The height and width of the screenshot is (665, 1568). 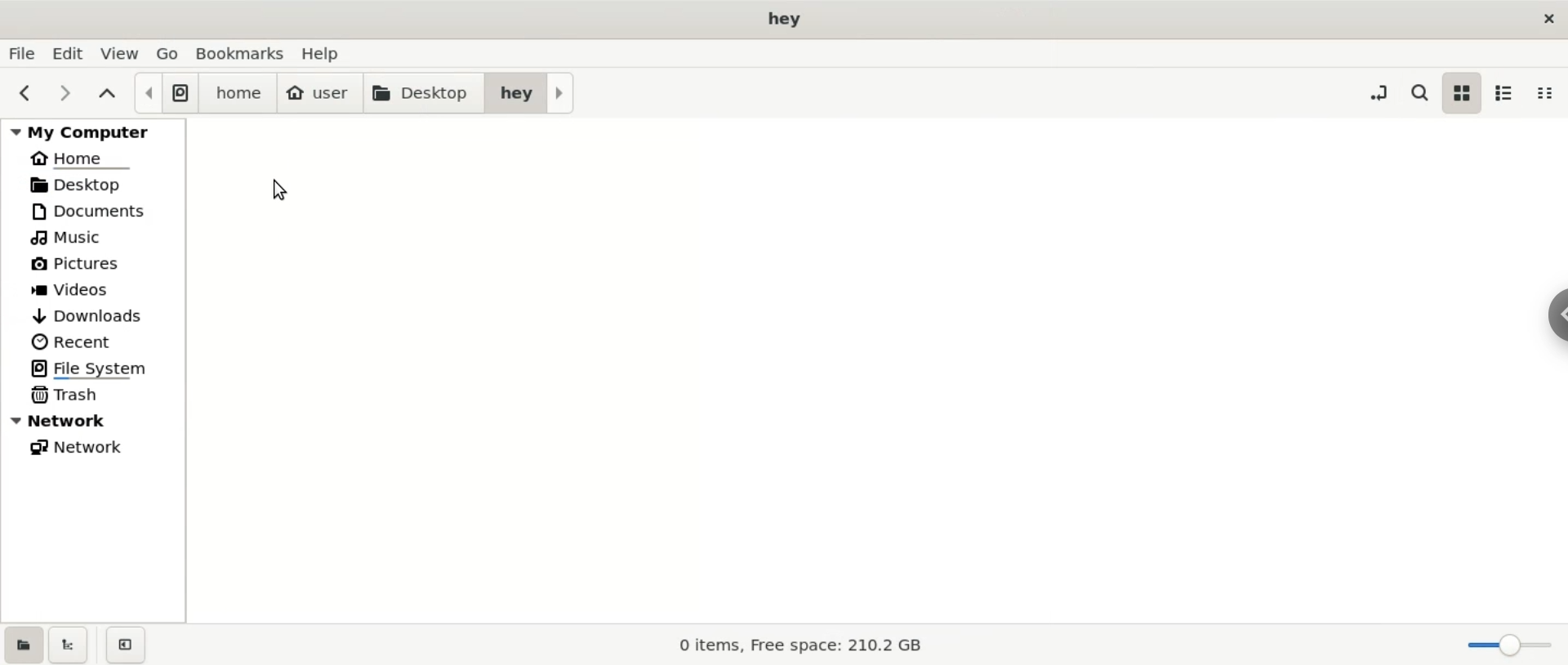 I want to click on edit, so click(x=73, y=53).